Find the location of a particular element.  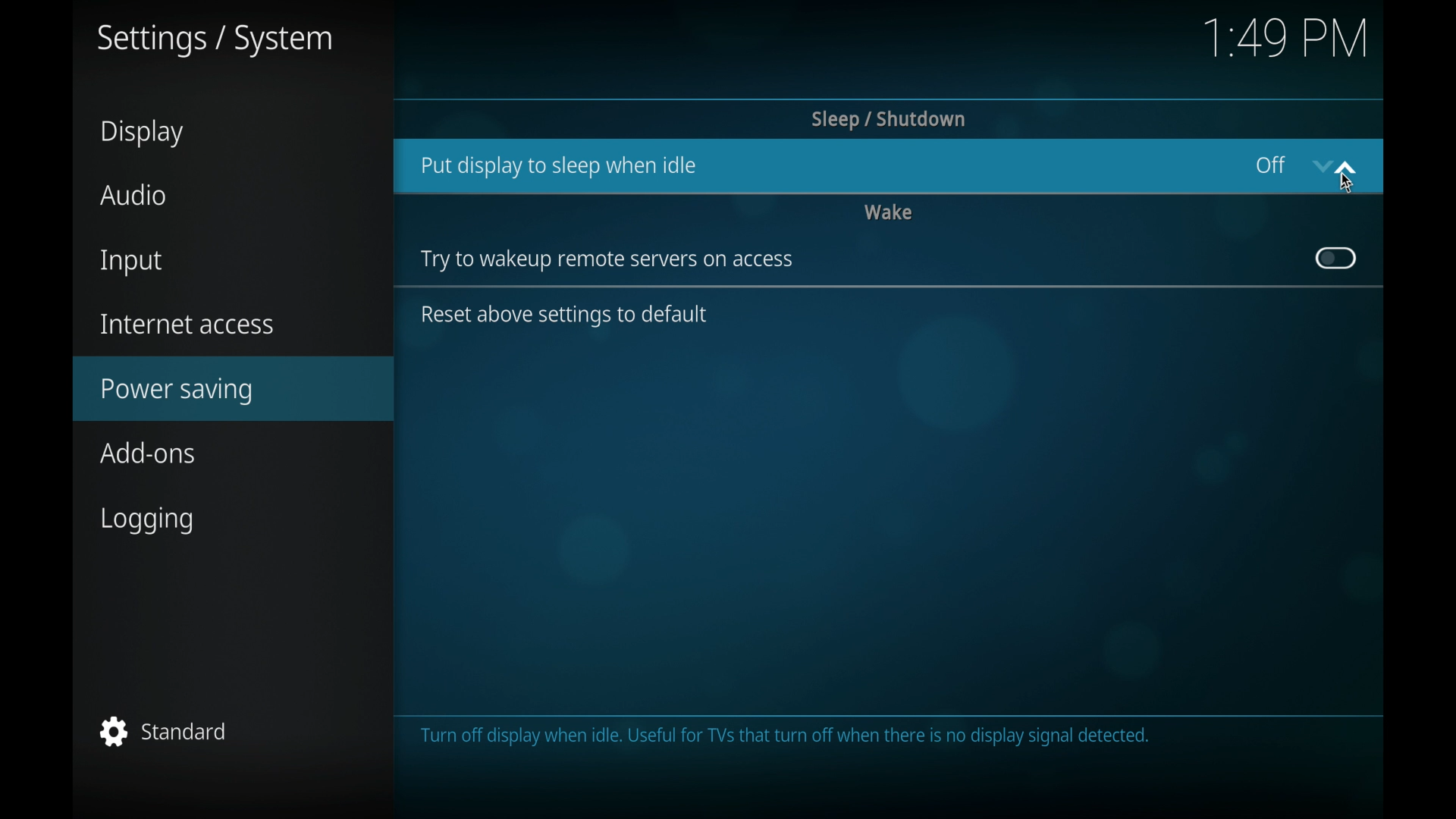

add-ons is located at coordinates (150, 453).